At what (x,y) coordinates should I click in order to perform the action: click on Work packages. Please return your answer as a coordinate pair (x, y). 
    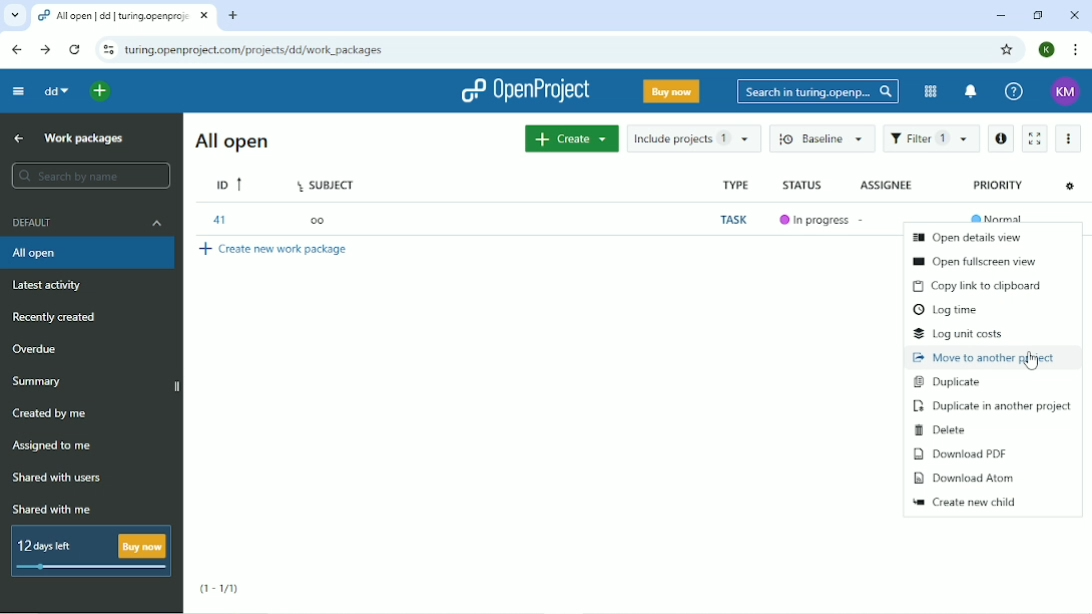
    Looking at the image, I should click on (87, 139).